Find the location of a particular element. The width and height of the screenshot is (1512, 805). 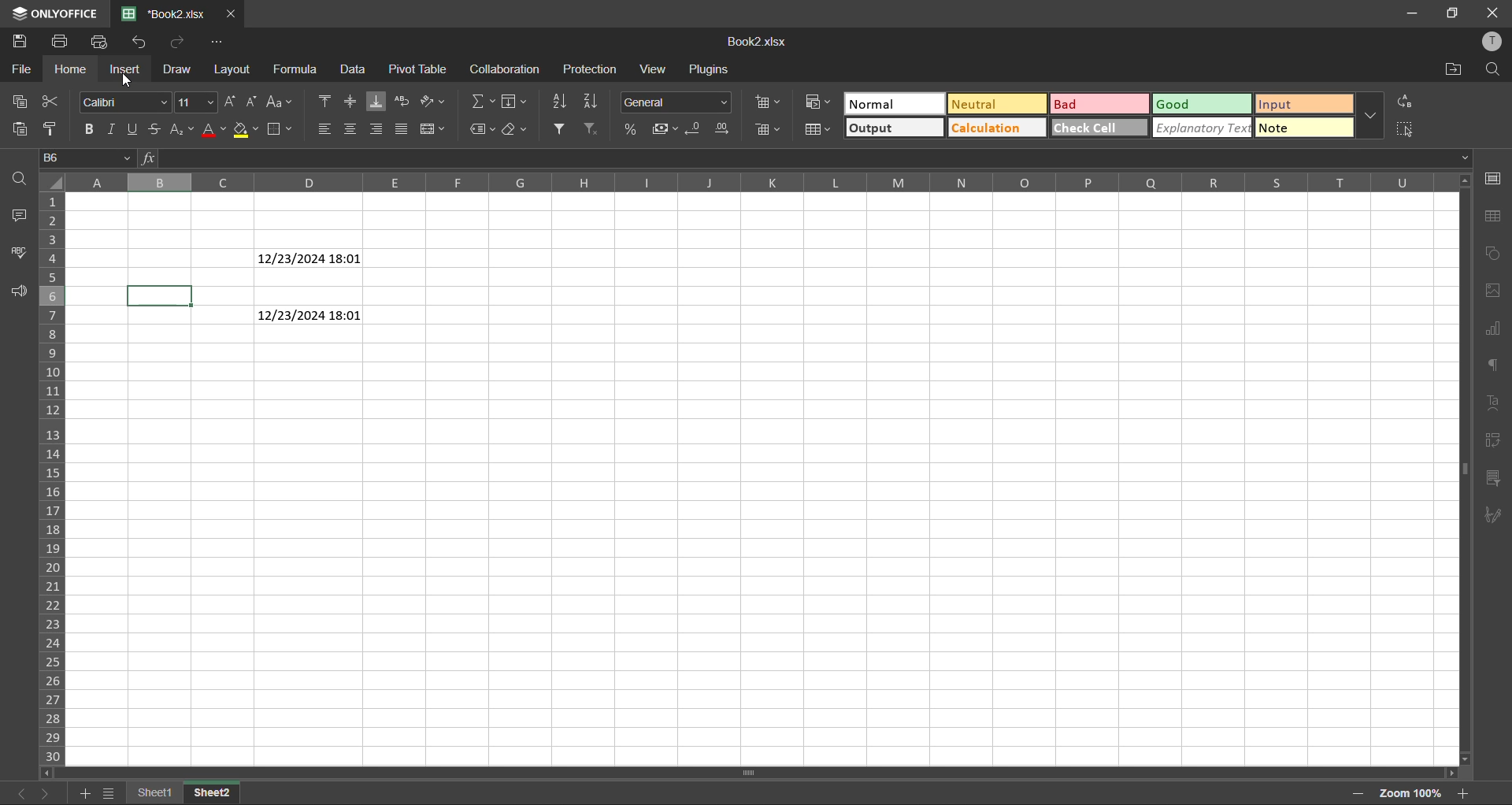

merge and center is located at coordinates (435, 129).